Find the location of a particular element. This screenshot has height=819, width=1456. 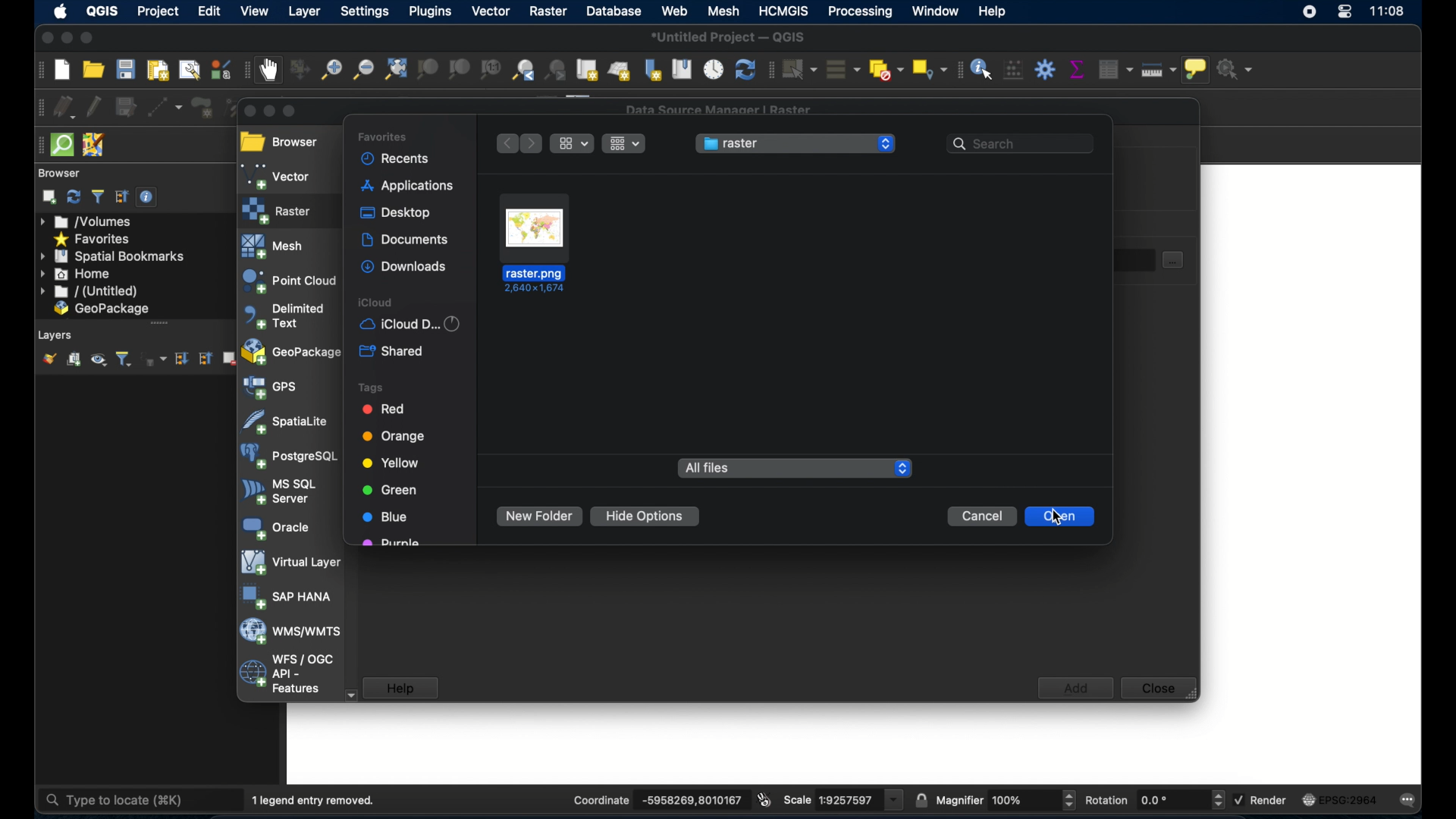

select features by area or single click is located at coordinates (799, 68).